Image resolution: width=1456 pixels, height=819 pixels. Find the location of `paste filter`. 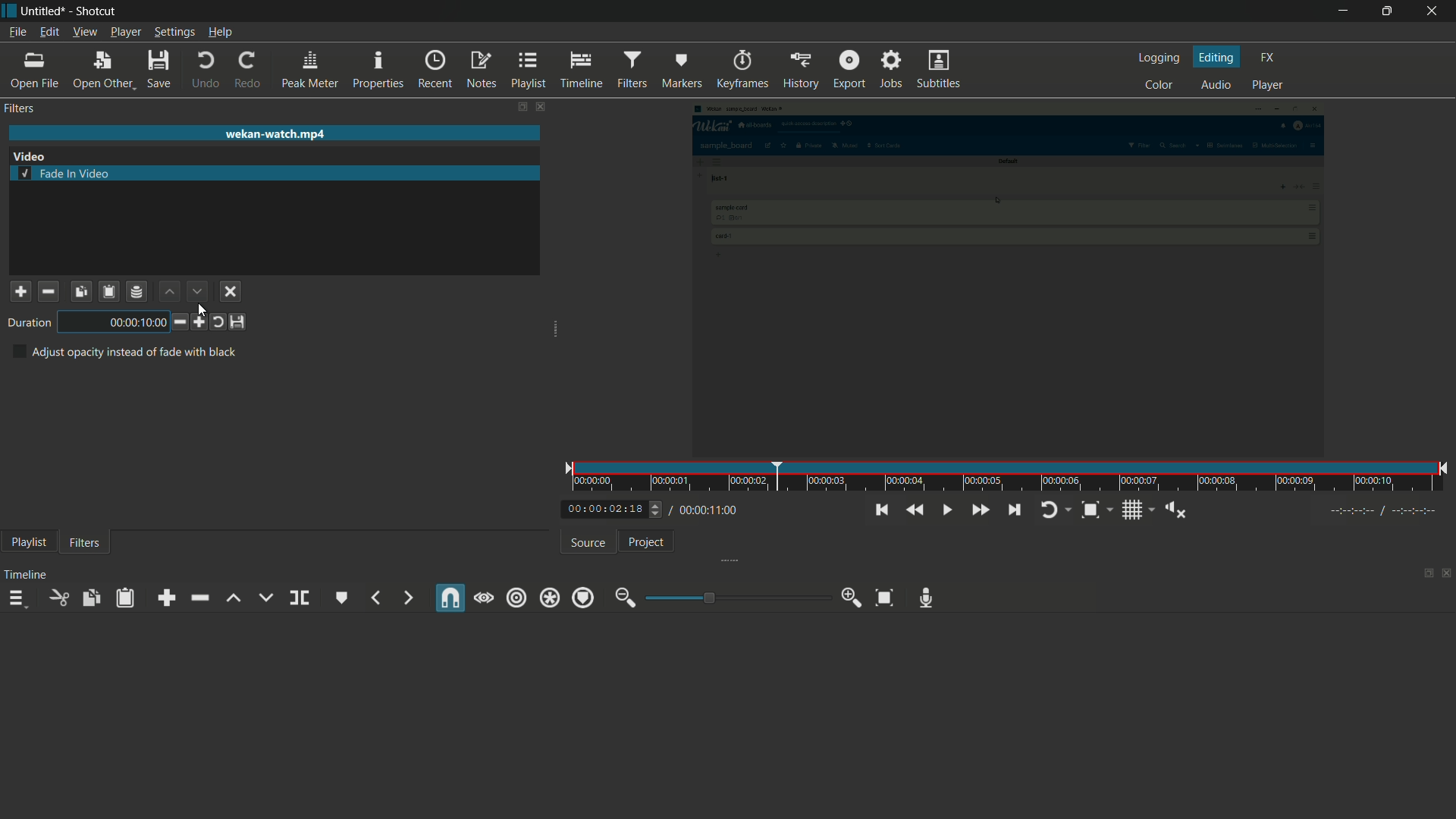

paste filter is located at coordinates (110, 291).